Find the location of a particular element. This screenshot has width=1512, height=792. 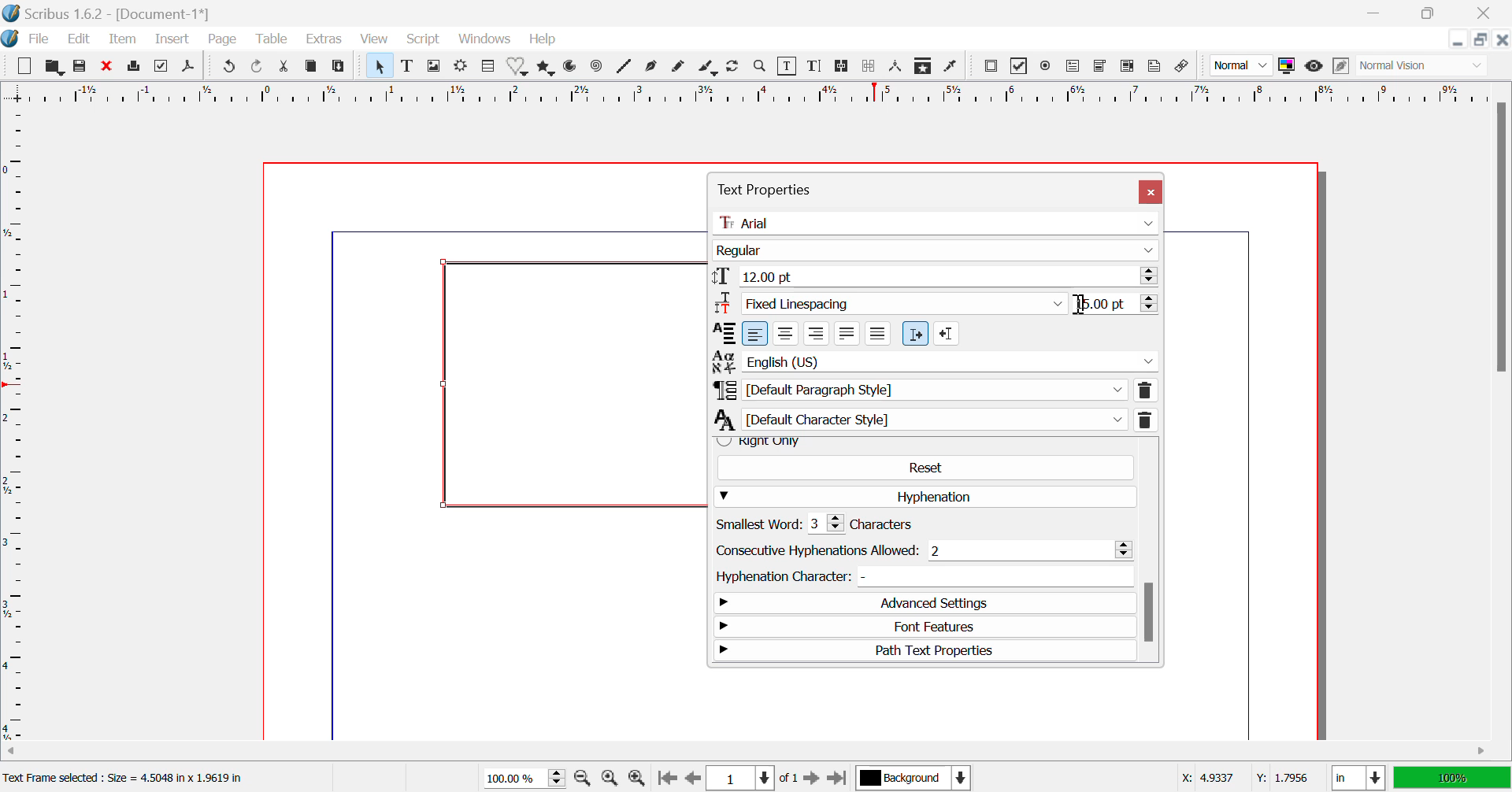

Page is located at coordinates (225, 41).